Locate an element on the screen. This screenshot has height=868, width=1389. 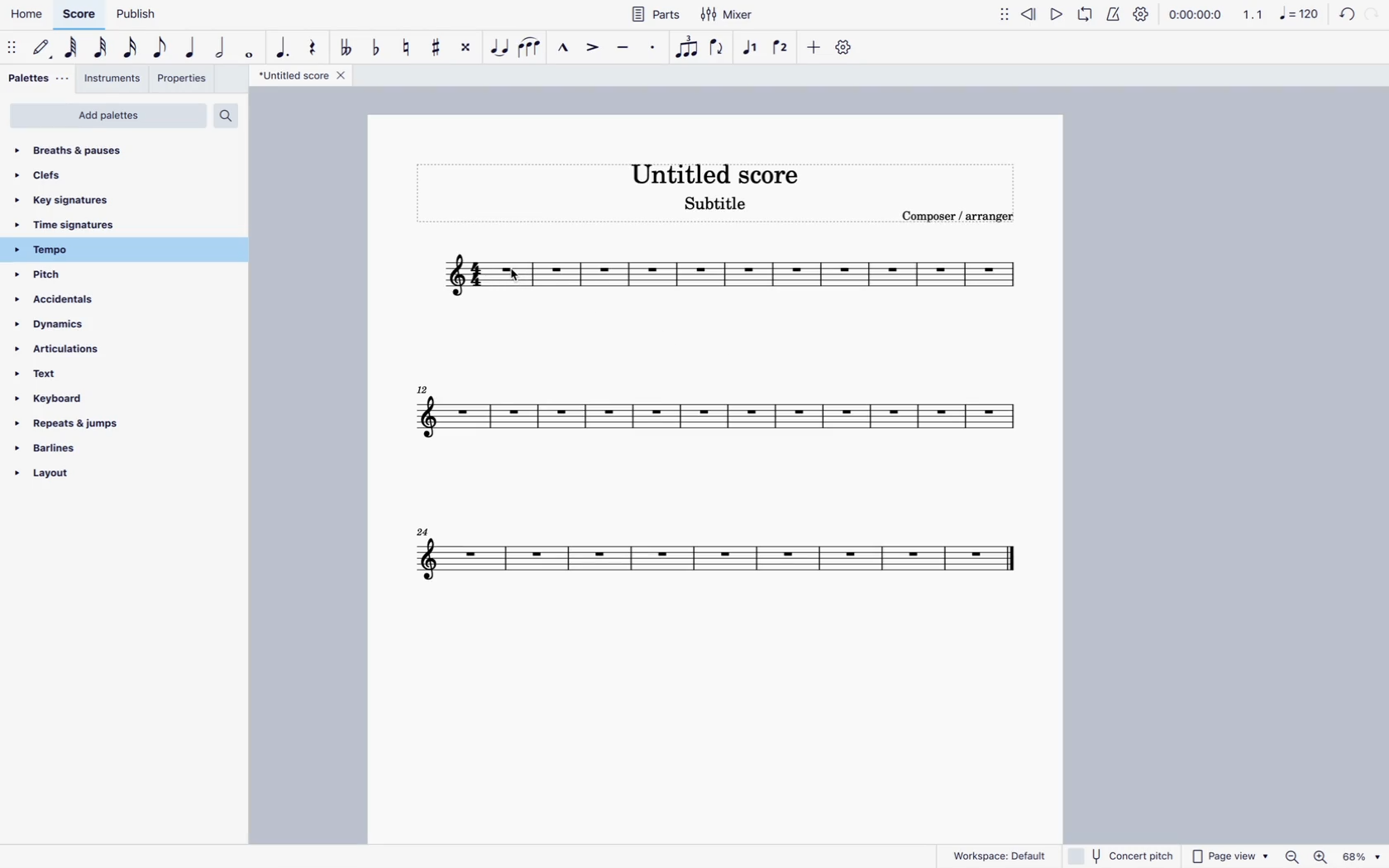
loop playback is located at coordinates (1085, 14).